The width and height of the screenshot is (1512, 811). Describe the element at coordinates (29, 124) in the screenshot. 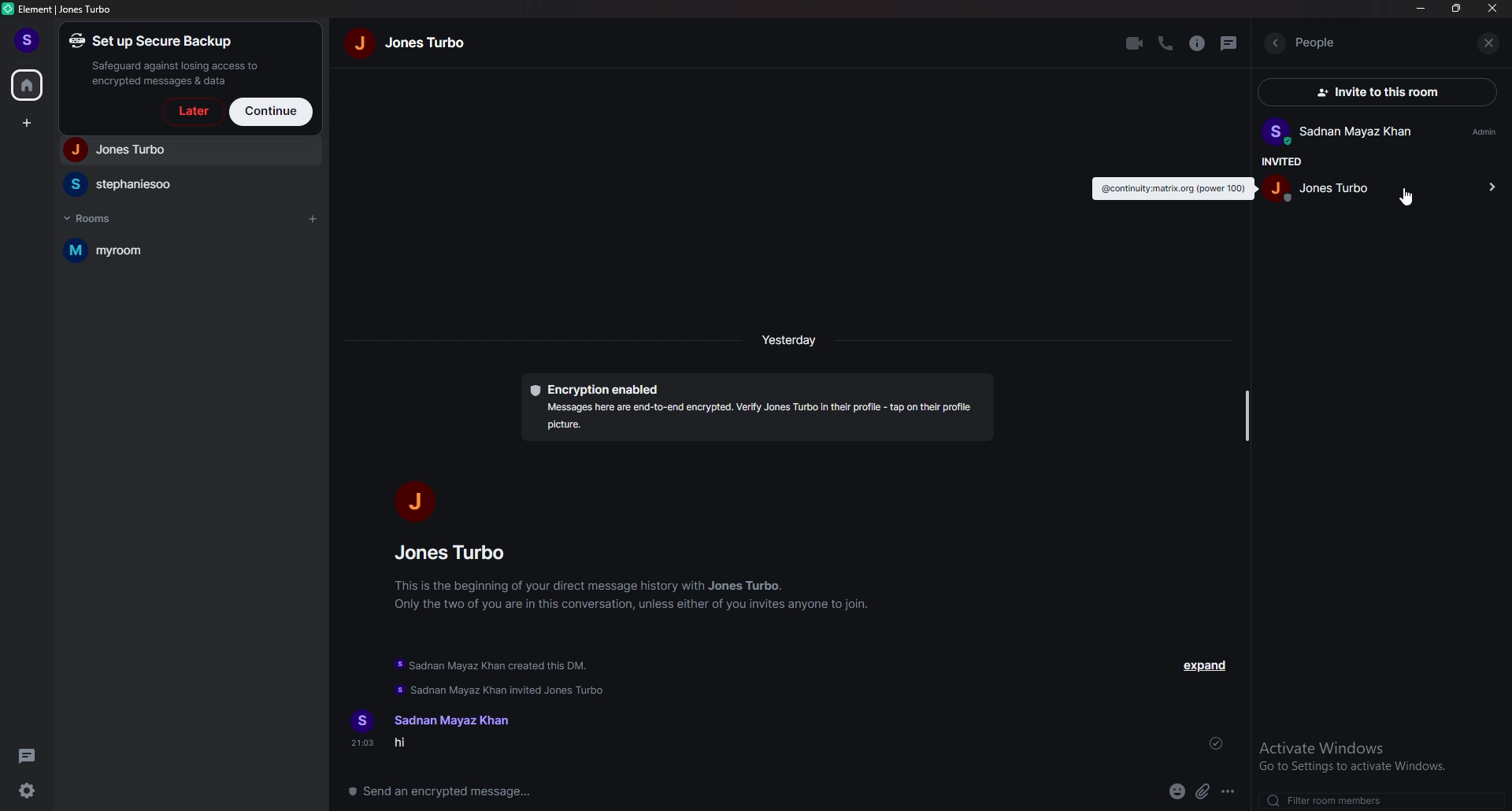

I see `create space` at that location.